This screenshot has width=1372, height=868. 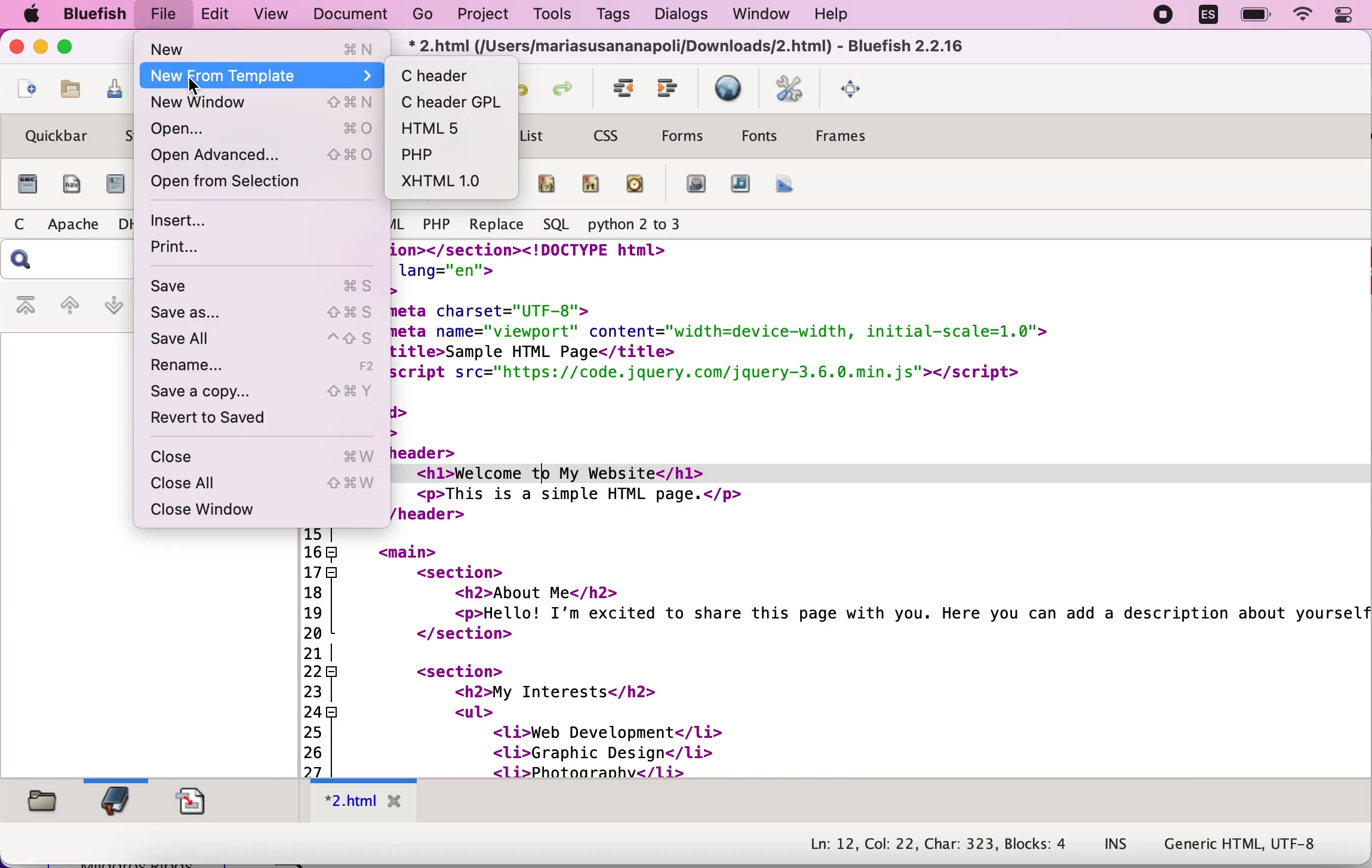 What do you see at coordinates (74, 223) in the screenshot?
I see `Apache` at bounding box center [74, 223].